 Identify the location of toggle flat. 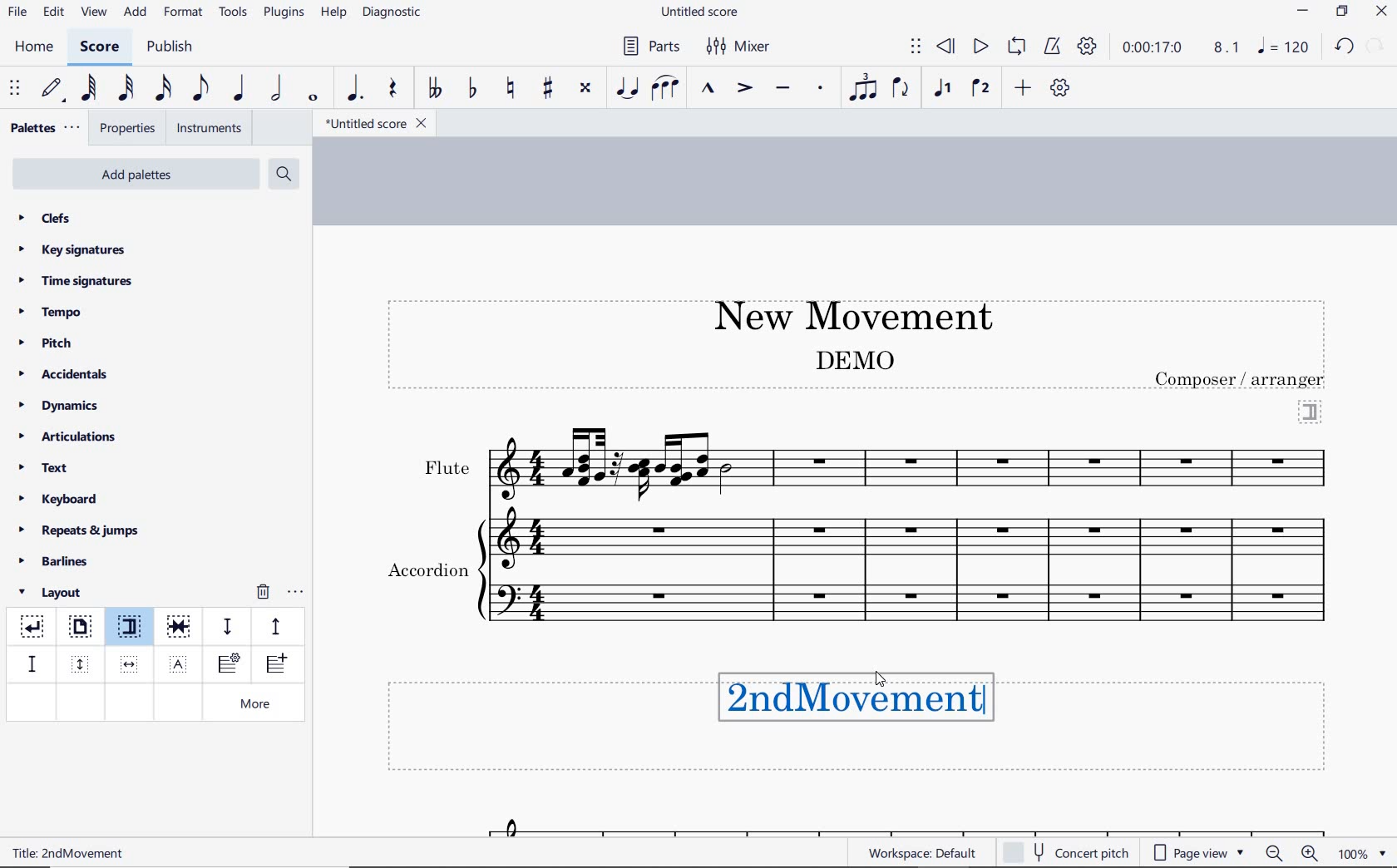
(471, 89).